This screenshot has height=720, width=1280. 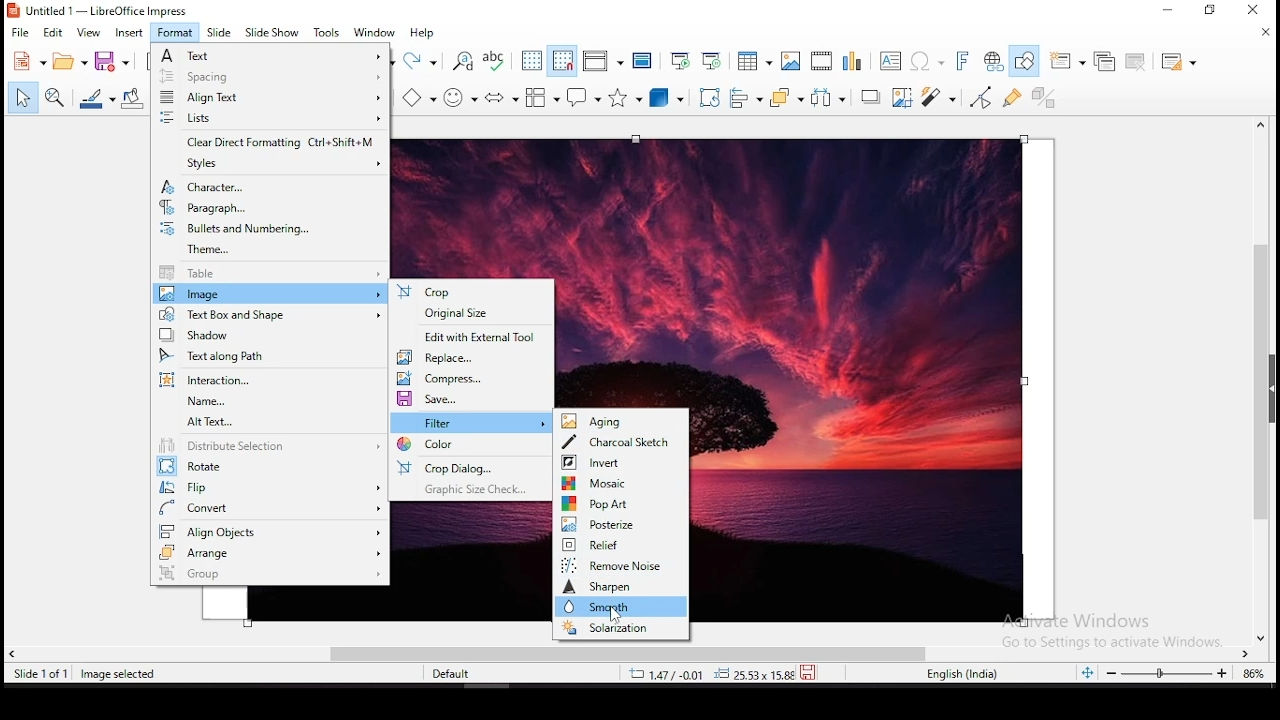 What do you see at coordinates (712, 59) in the screenshot?
I see `start from current slide` at bounding box center [712, 59].